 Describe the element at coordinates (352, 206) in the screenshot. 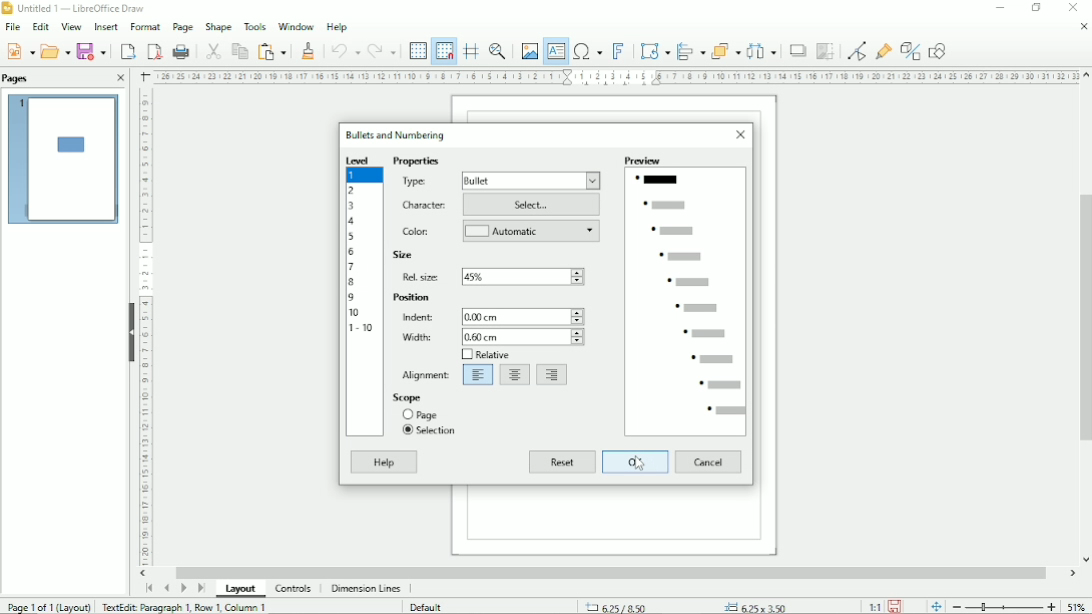

I see `3` at that location.